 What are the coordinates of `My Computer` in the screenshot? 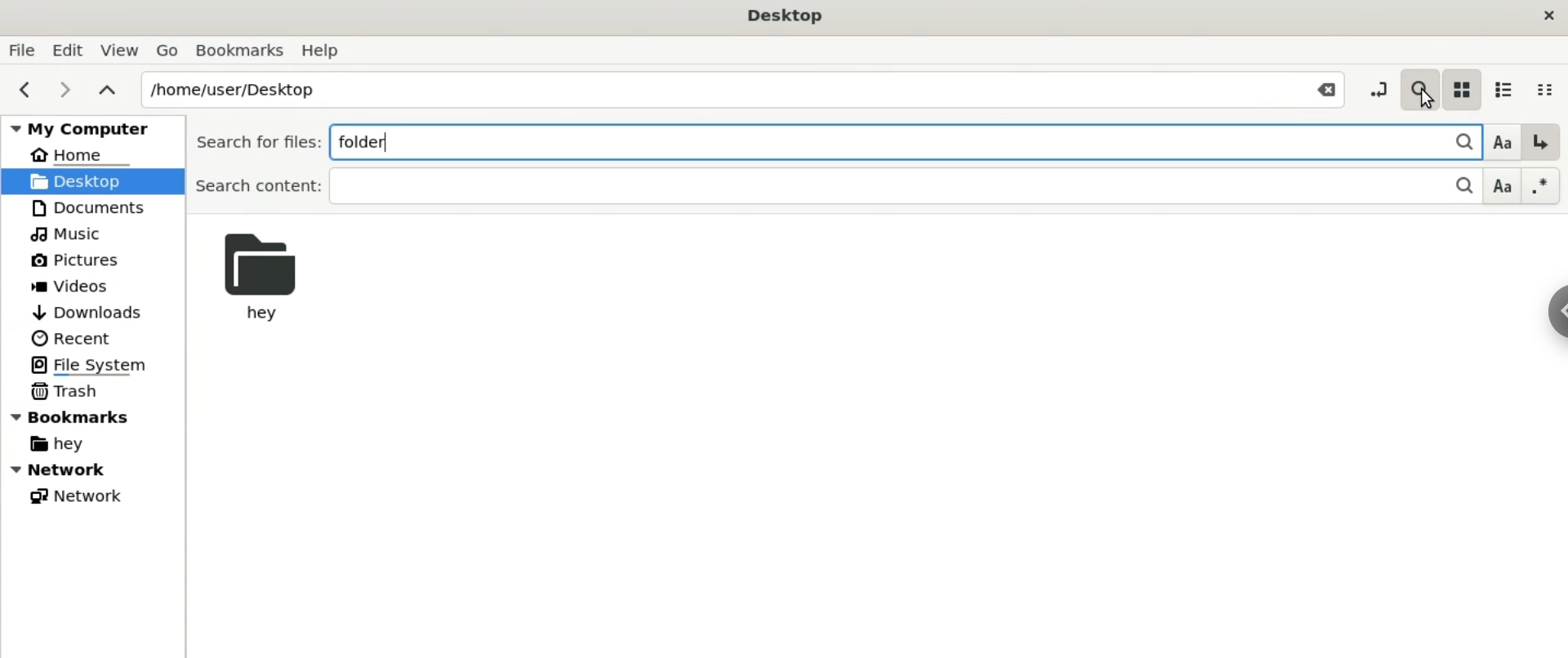 It's located at (90, 128).